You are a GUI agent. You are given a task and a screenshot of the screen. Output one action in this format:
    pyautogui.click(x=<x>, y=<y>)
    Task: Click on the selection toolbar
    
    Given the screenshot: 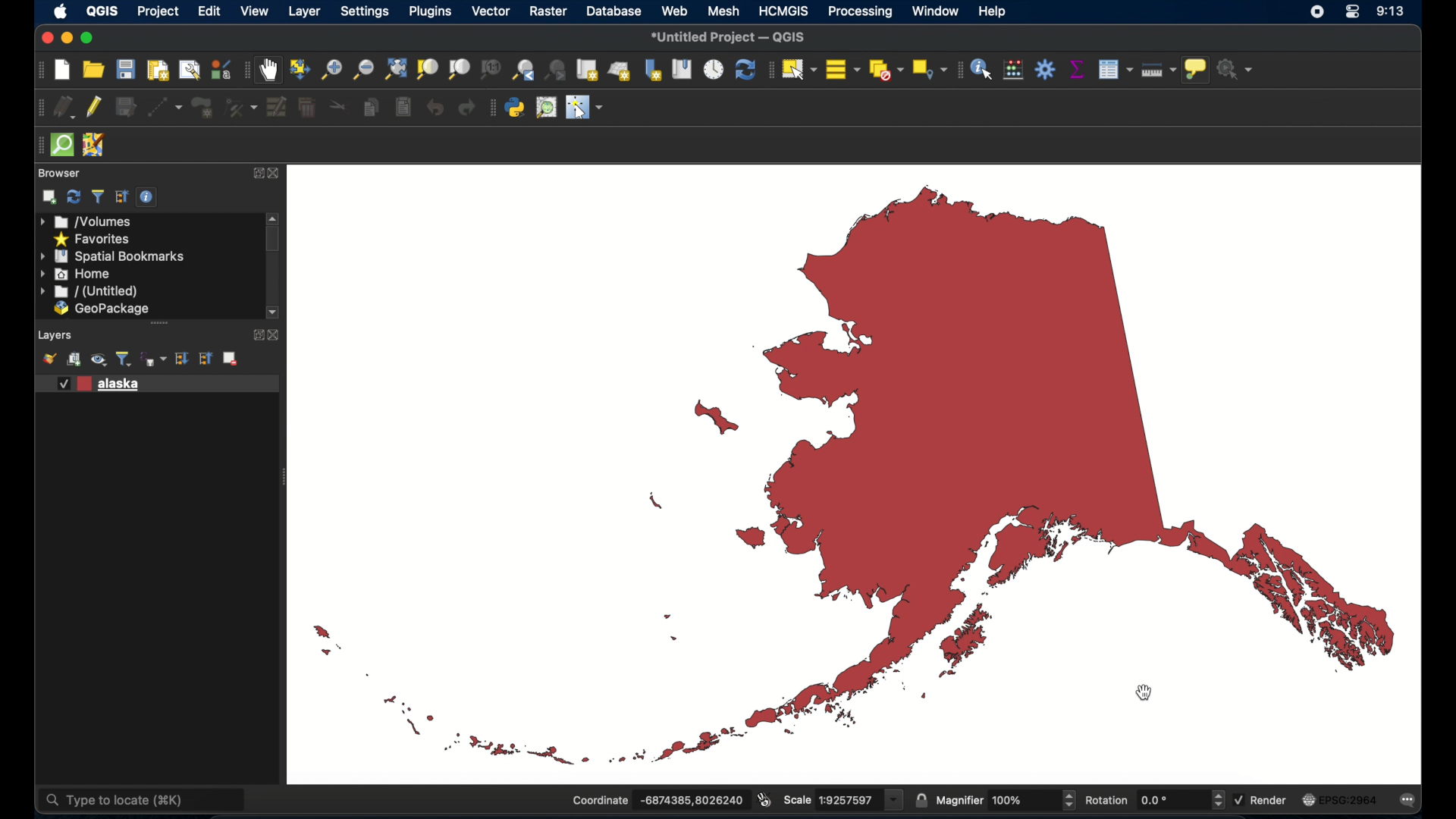 What is the action you would take?
    pyautogui.click(x=770, y=69)
    